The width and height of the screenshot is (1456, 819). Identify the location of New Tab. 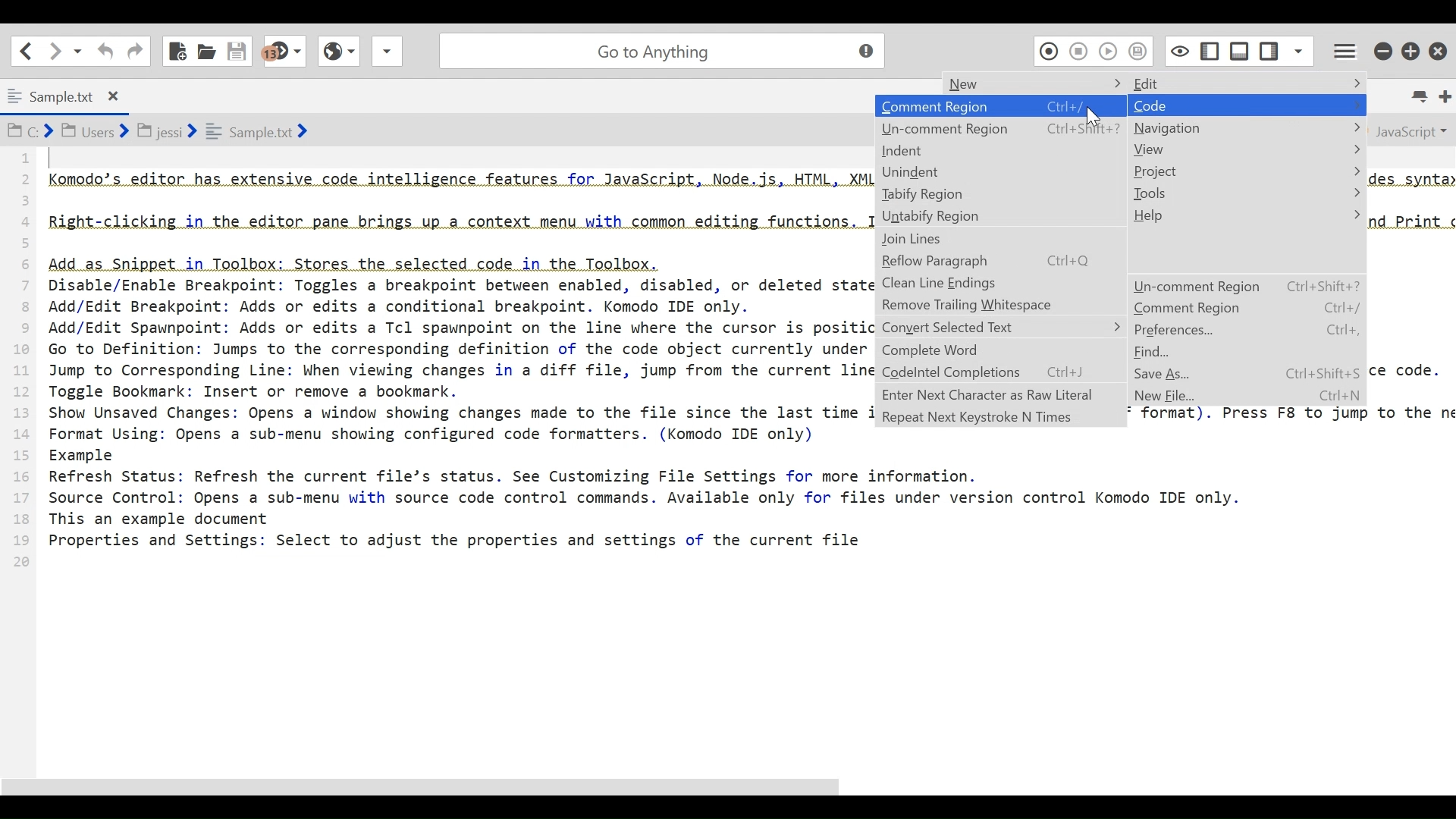
(1445, 96).